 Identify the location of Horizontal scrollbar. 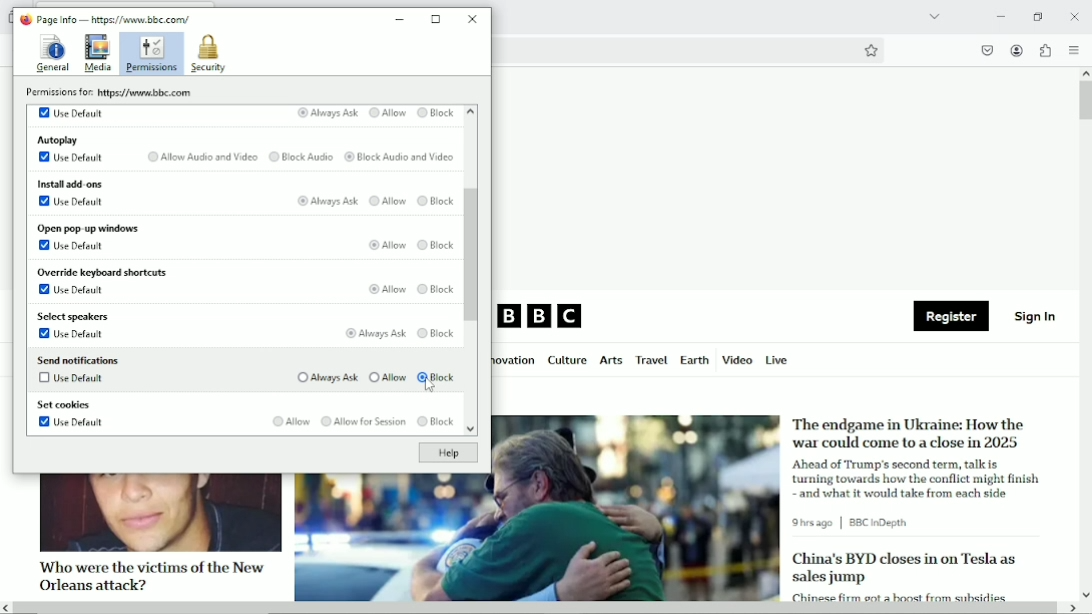
(537, 609).